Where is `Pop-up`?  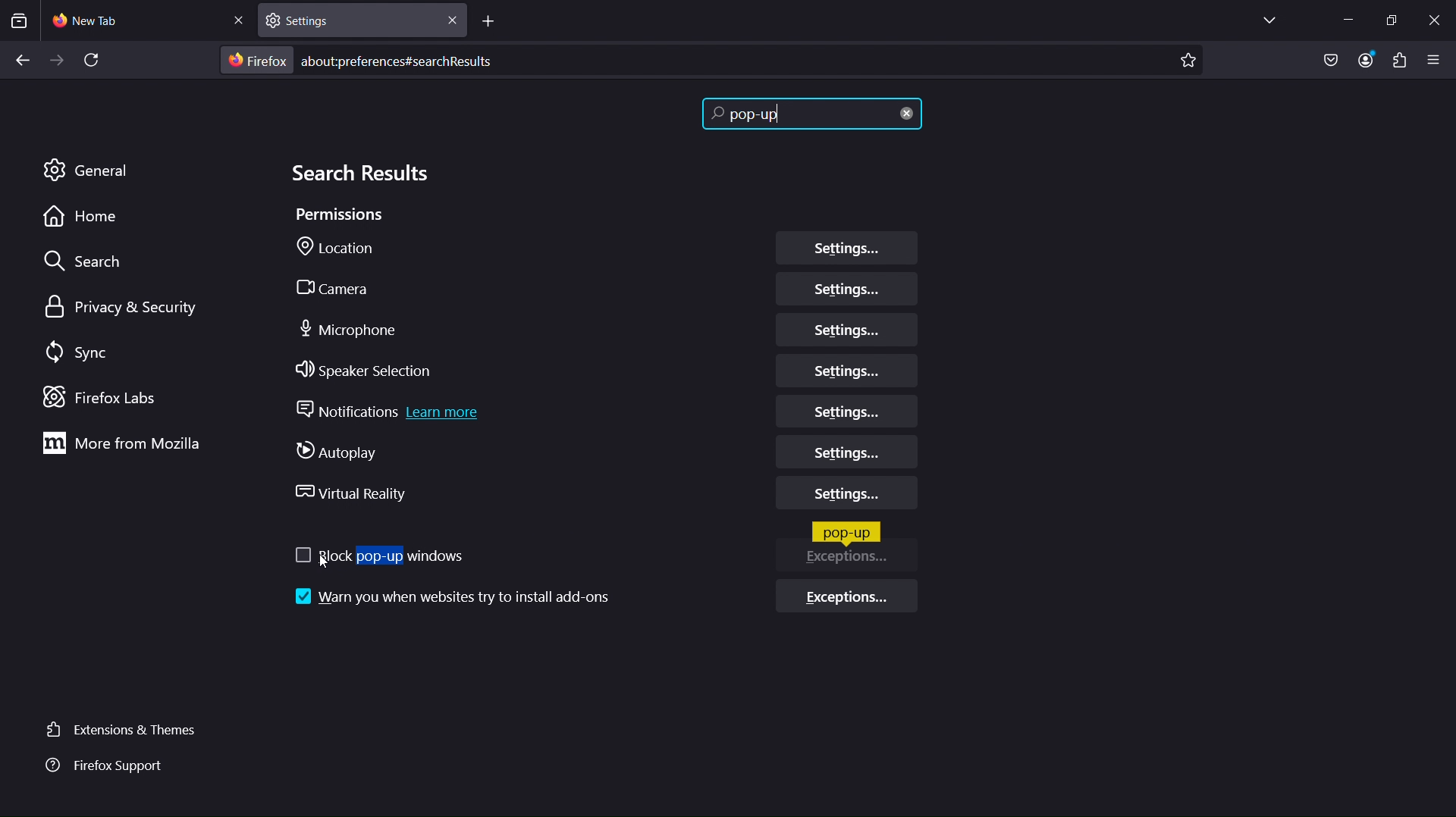
Pop-up is located at coordinates (847, 532).